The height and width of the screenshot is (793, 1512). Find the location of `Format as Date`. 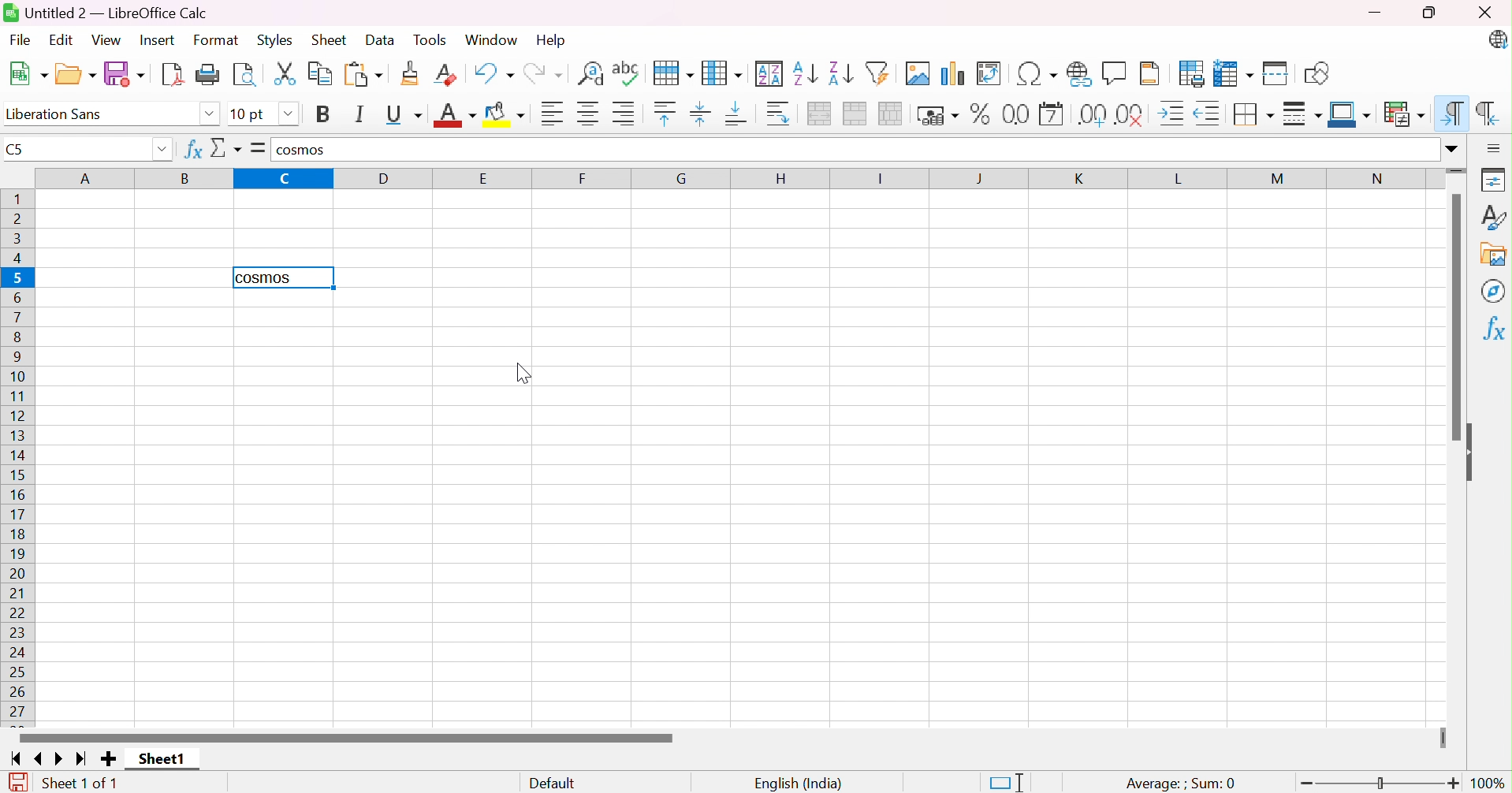

Format as Date is located at coordinates (1052, 114).